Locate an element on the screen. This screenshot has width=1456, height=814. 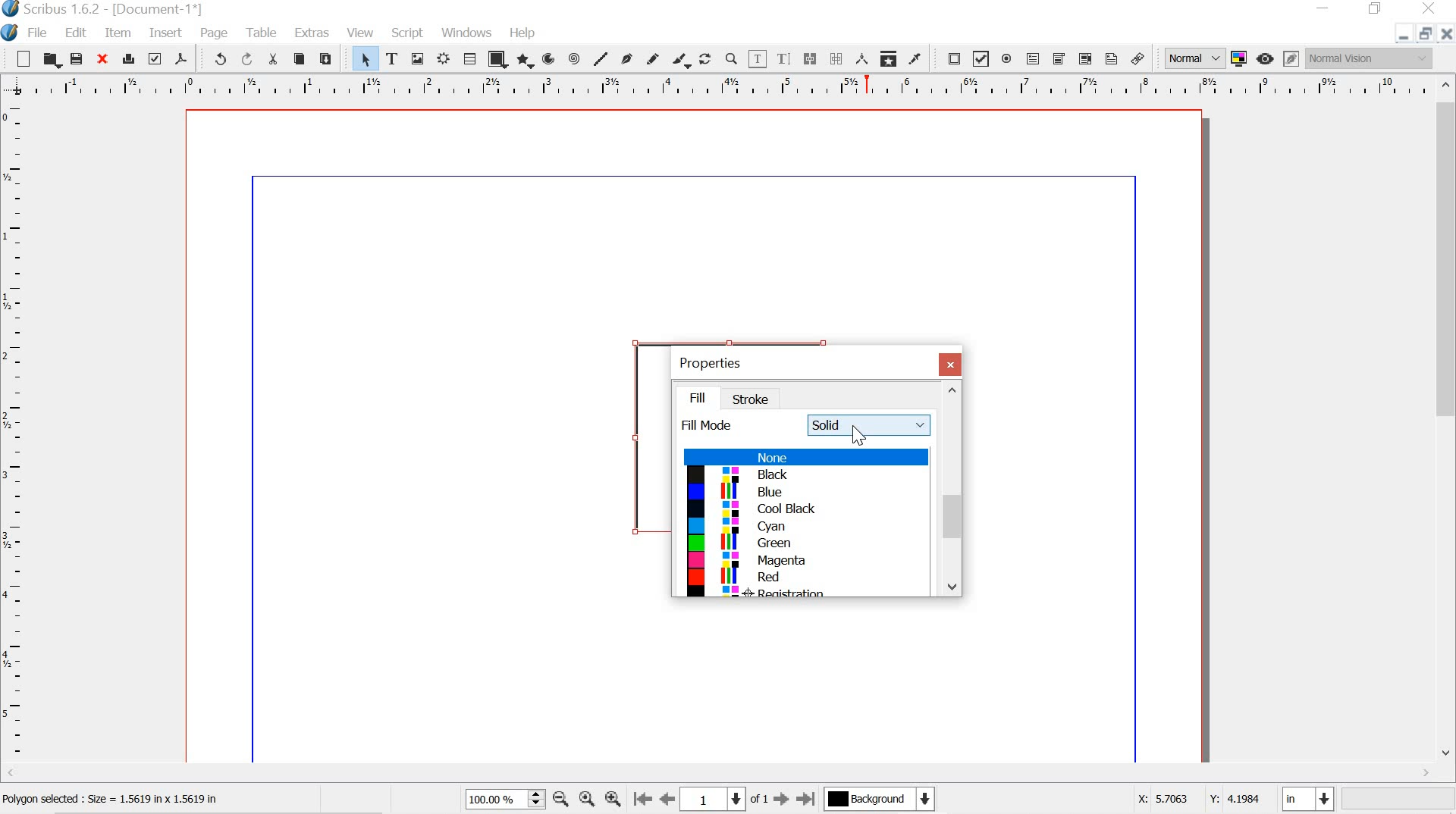
shape is located at coordinates (497, 58).